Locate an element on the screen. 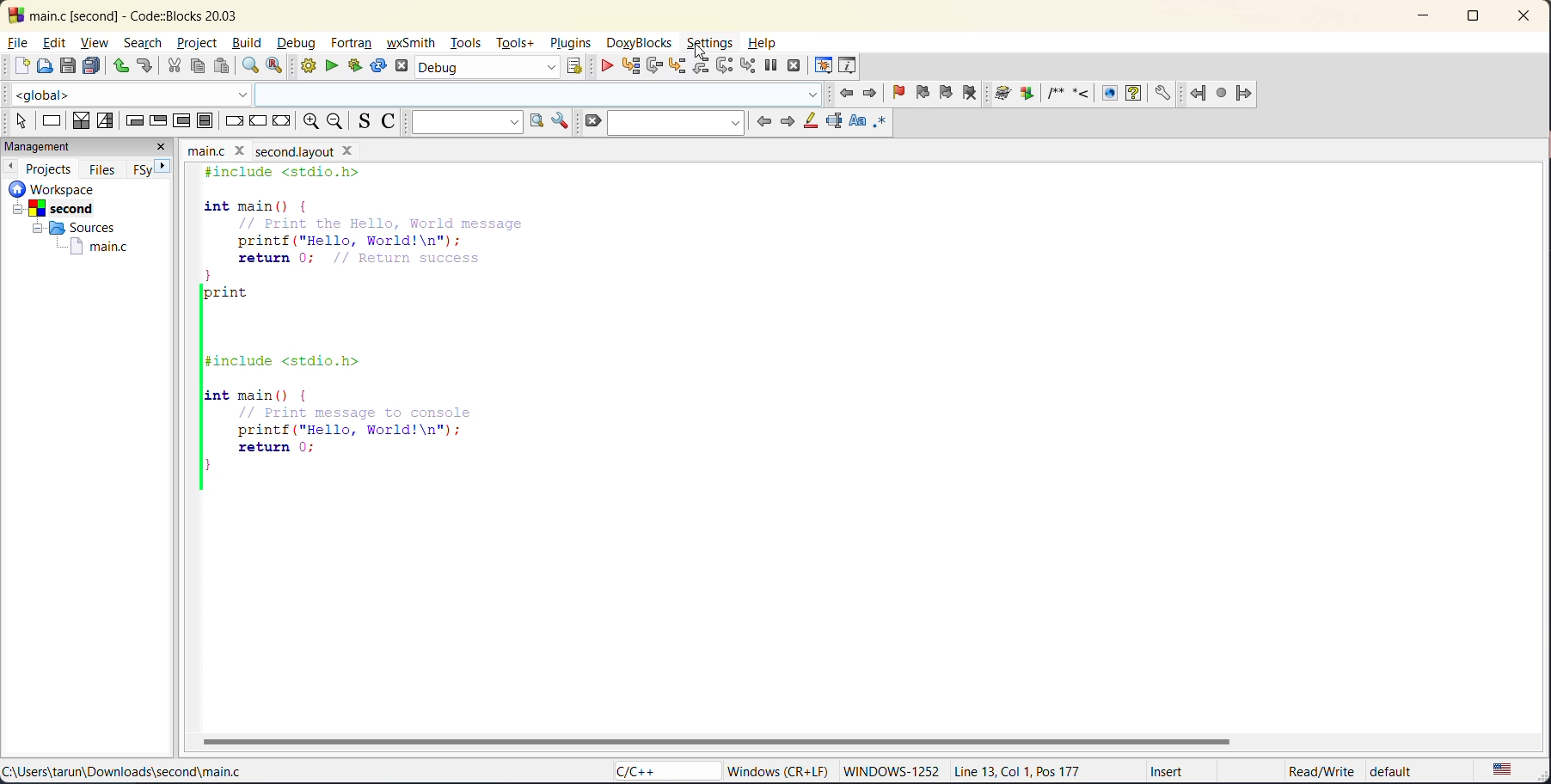  next instruction is located at coordinates (724, 68).